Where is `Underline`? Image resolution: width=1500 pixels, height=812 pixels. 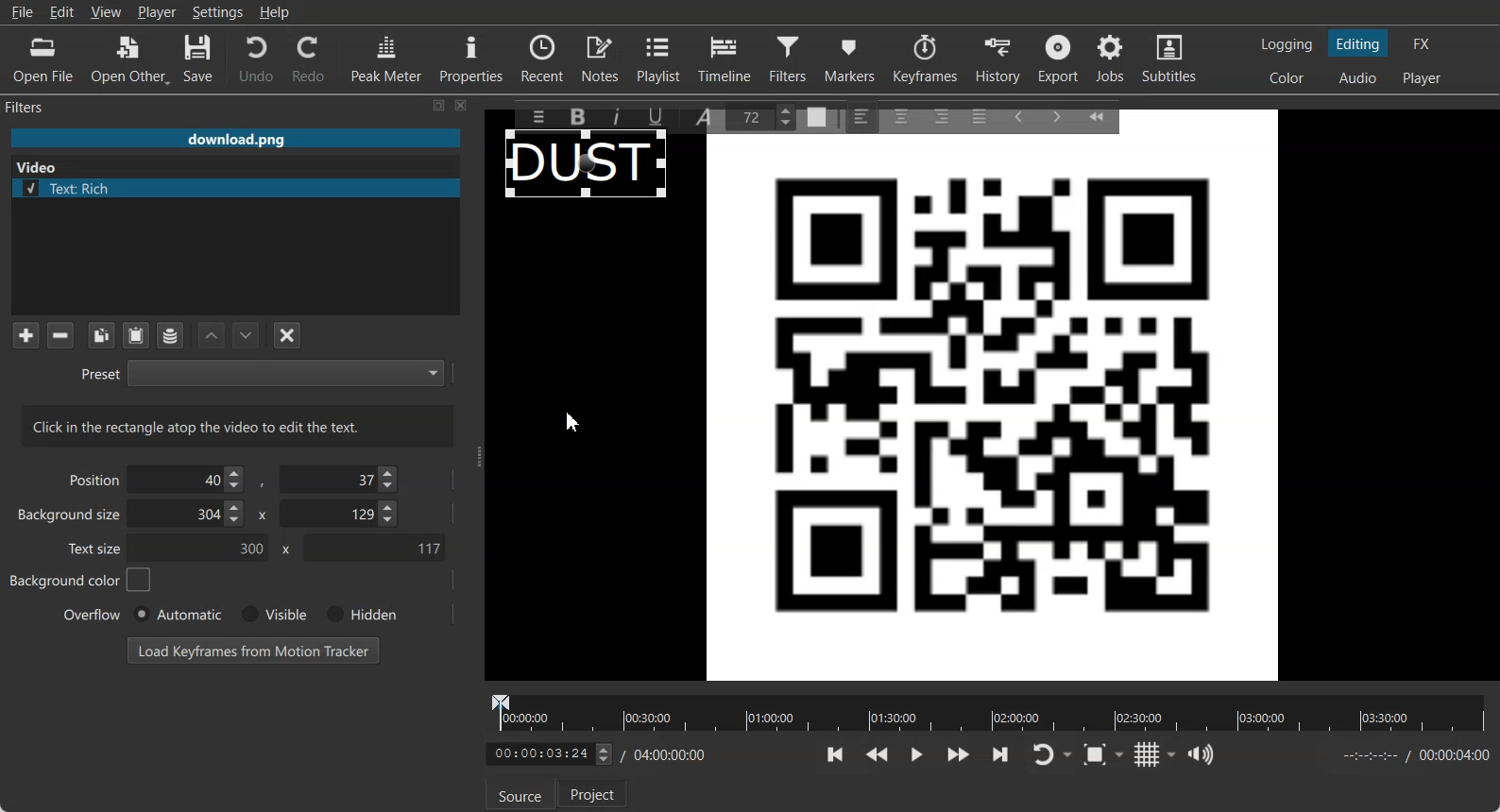
Underline is located at coordinates (662, 116).